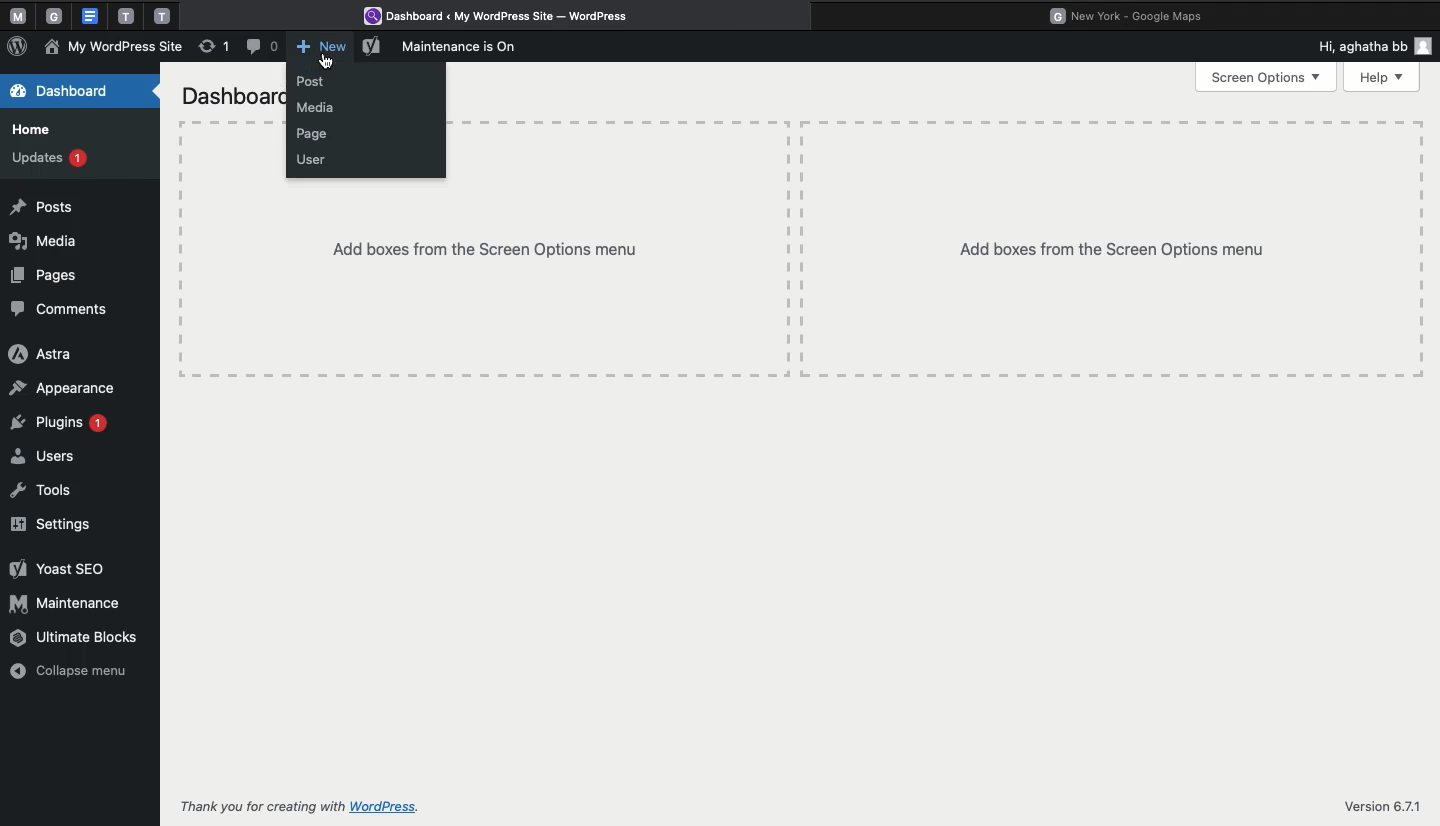 This screenshot has width=1440, height=826. What do you see at coordinates (215, 49) in the screenshot?
I see `Revision` at bounding box center [215, 49].